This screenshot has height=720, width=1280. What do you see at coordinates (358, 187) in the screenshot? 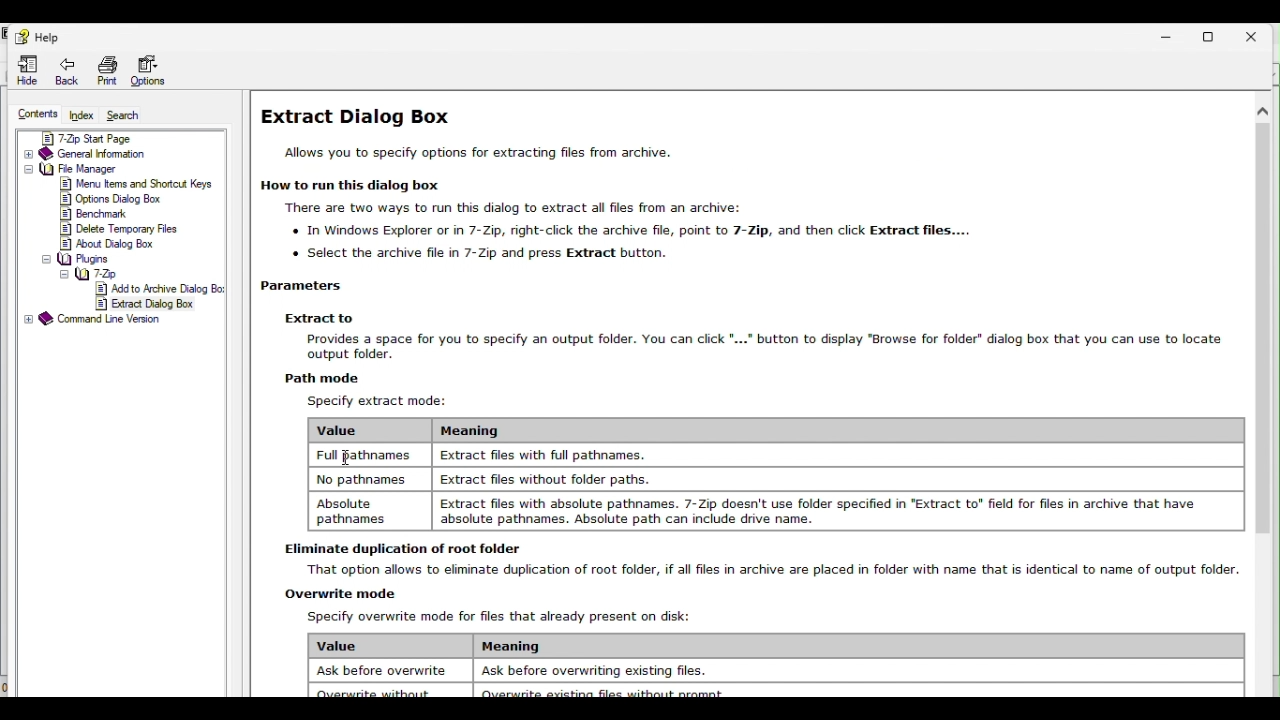
I see `how to` at bounding box center [358, 187].